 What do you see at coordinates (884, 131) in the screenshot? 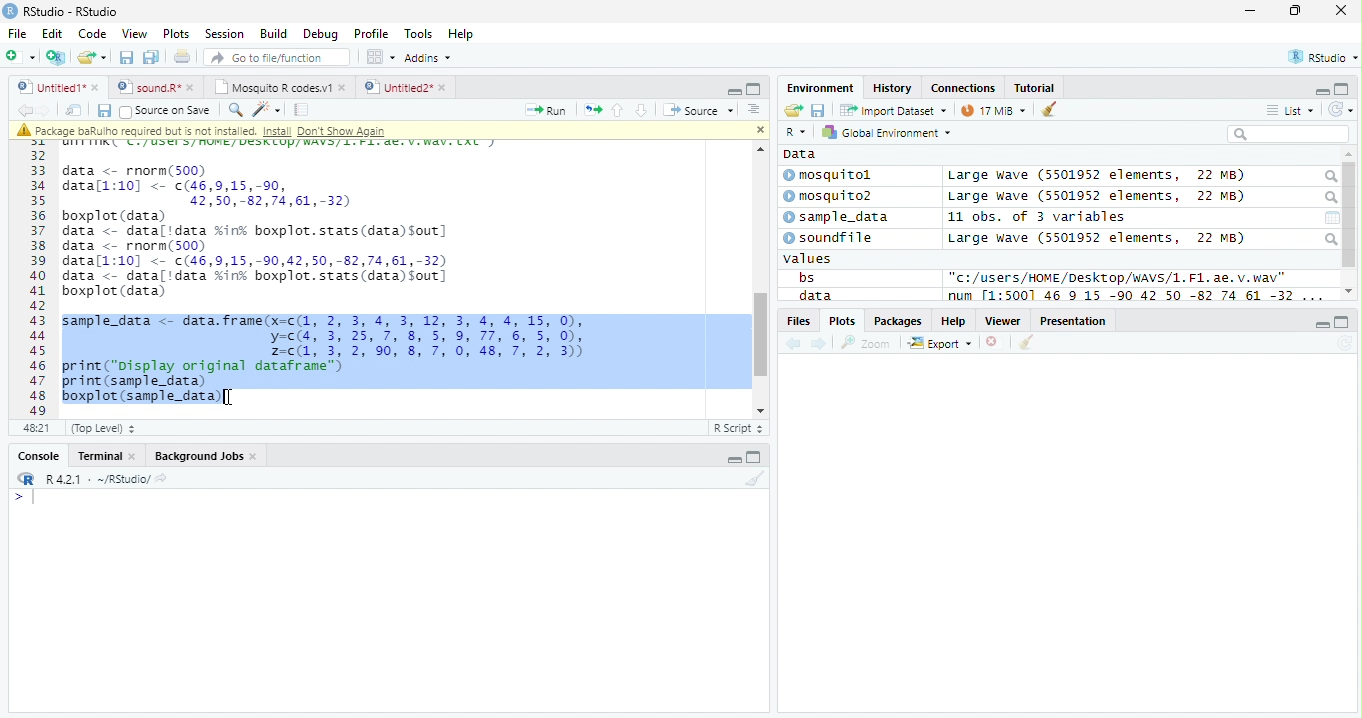
I see `Global Environment` at bounding box center [884, 131].